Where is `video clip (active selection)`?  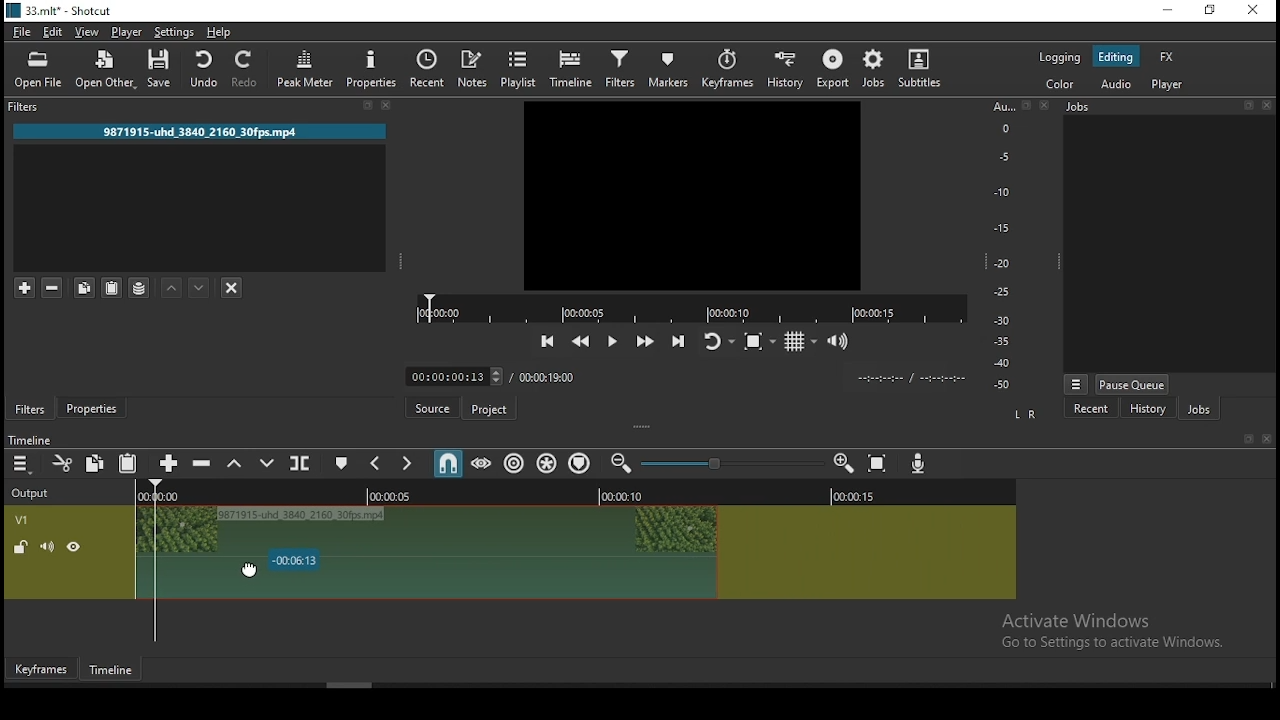
video clip (active selection) is located at coordinates (428, 542).